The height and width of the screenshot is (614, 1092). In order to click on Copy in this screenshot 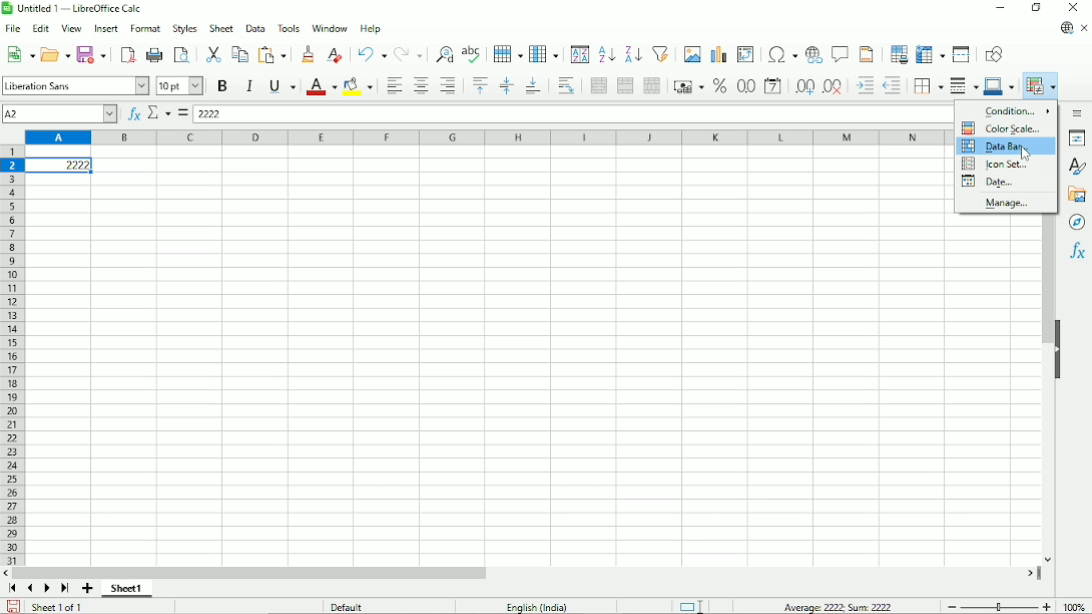, I will do `click(240, 53)`.